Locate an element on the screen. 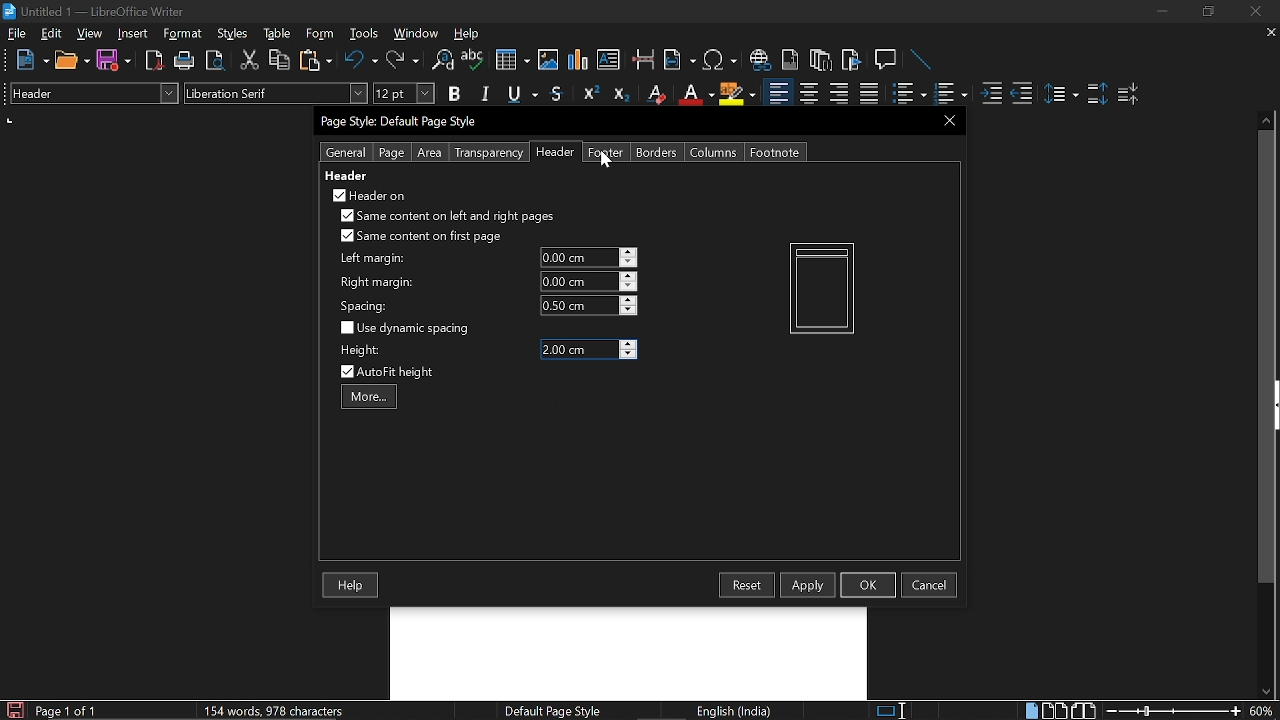 The image size is (1280, 720). Erase is located at coordinates (655, 94).